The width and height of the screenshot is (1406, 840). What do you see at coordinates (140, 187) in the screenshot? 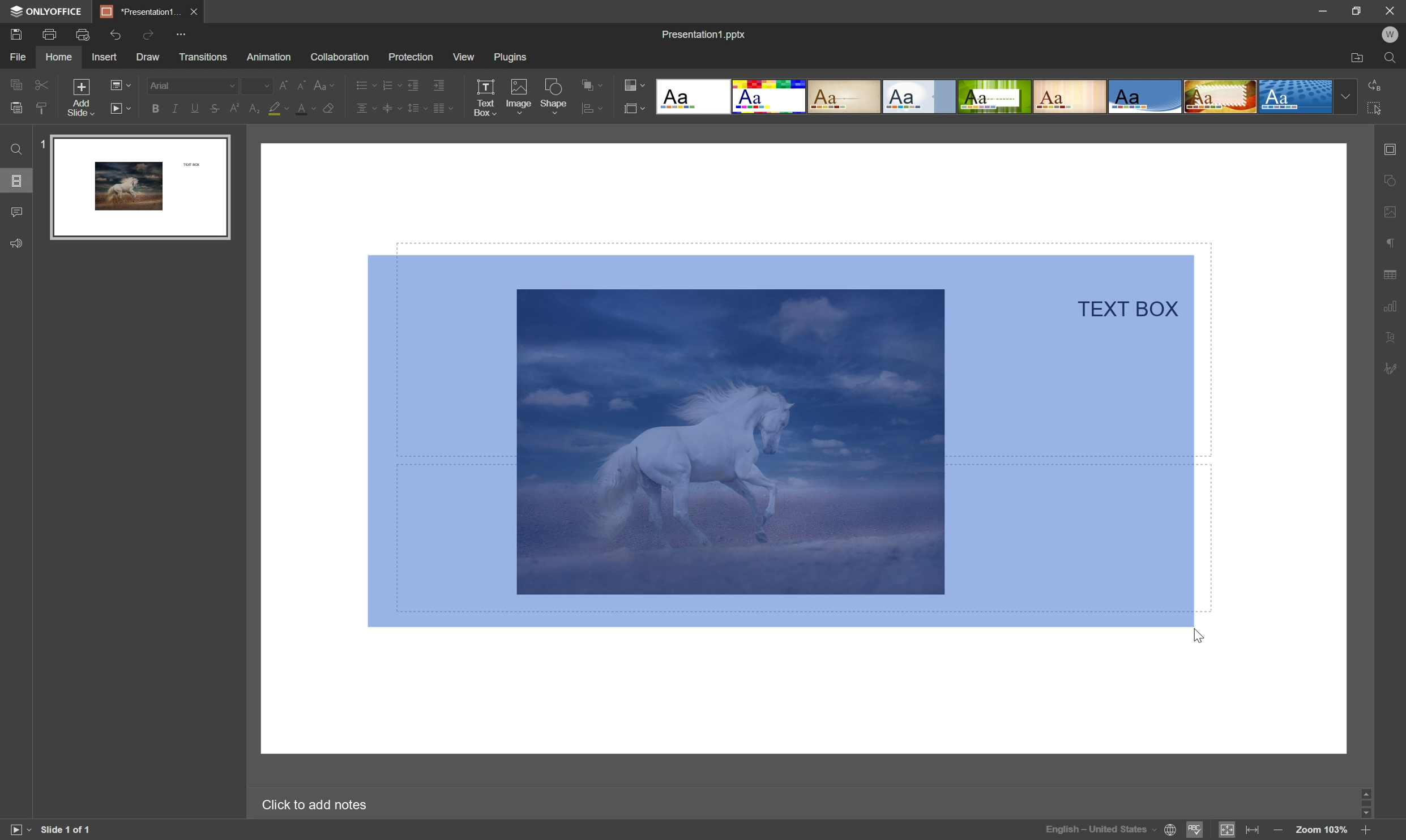
I see `slide` at bounding box center [140, 187].